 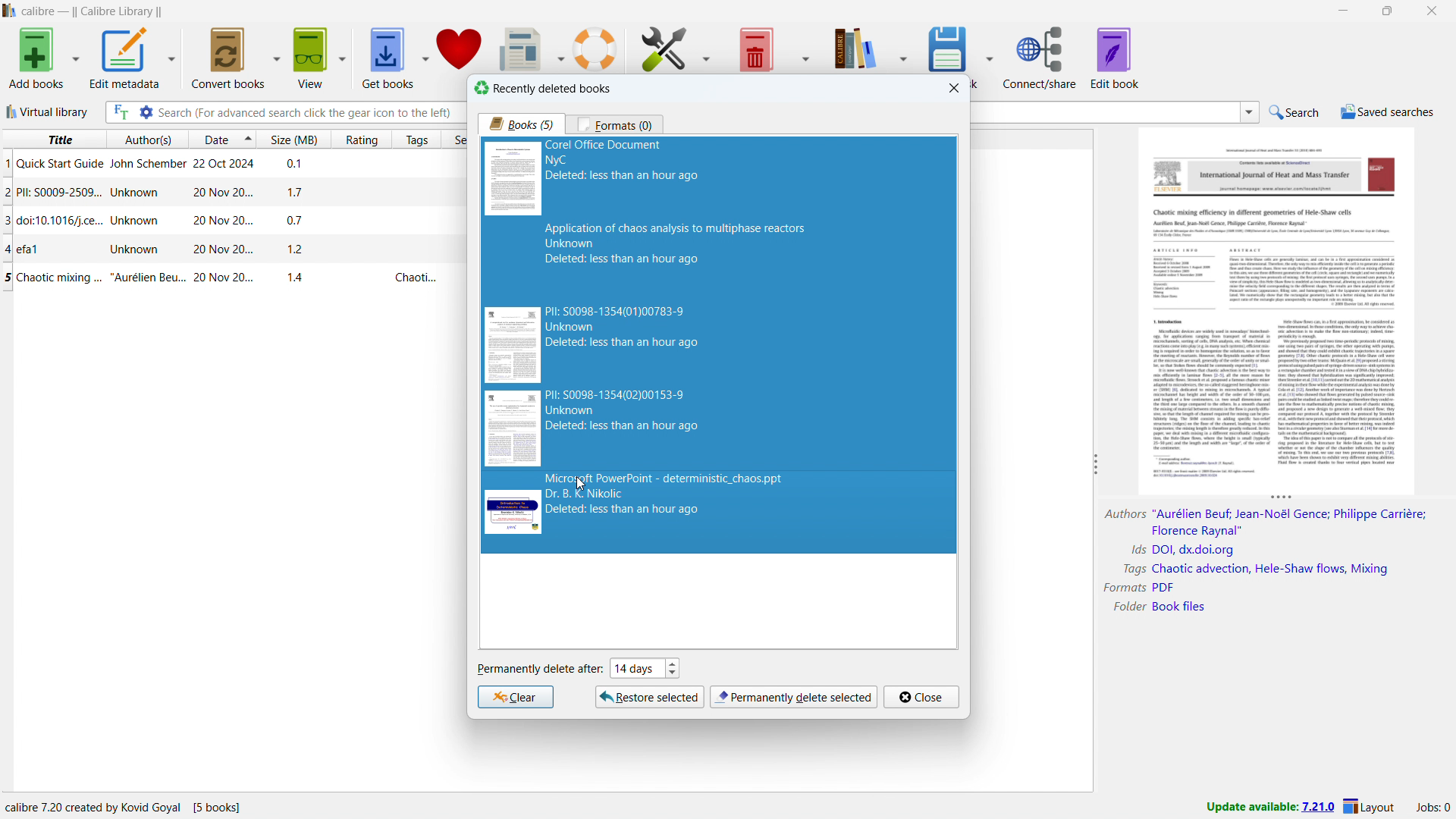 I want to click on 5 books selected, so click(x=719, y=347).